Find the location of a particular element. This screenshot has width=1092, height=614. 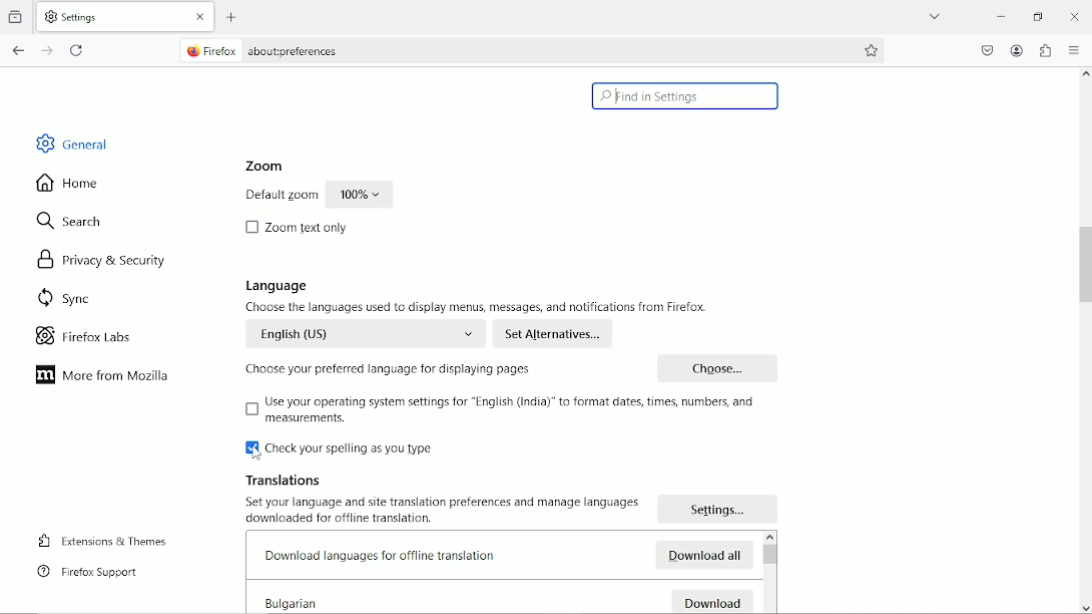

Vertical scrollbar is located at coordinates (1083, 265).